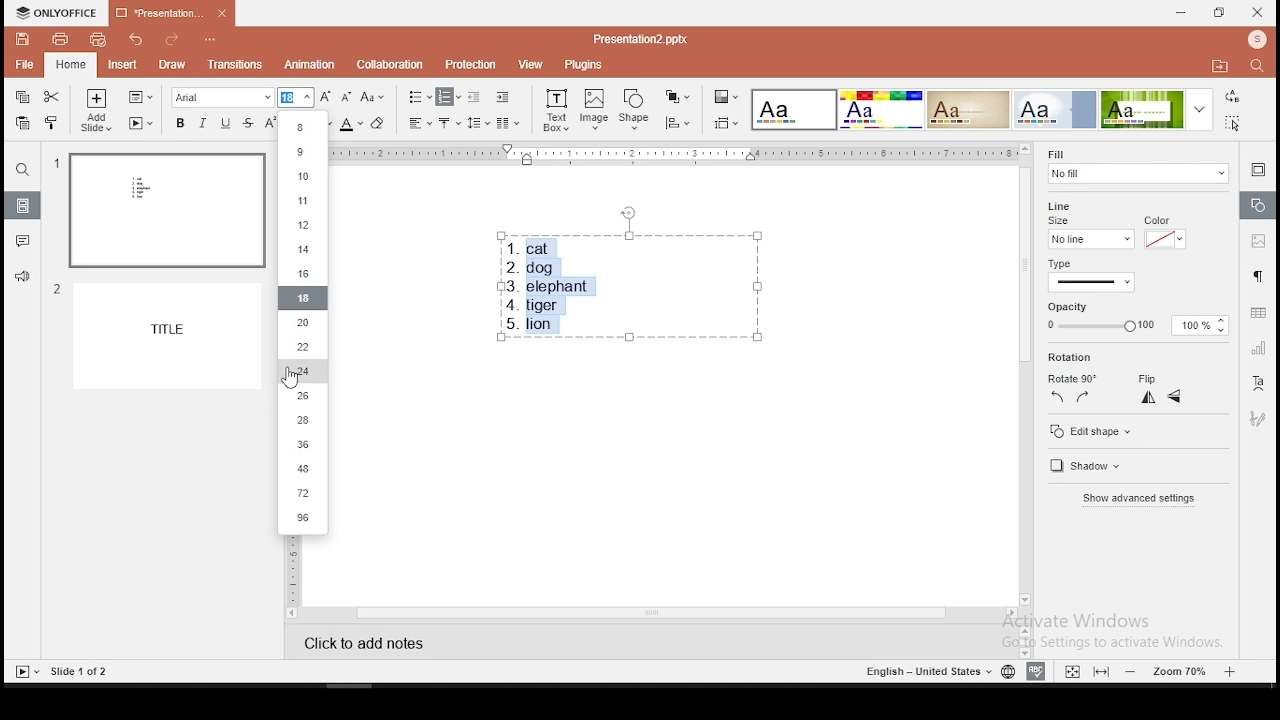 The image size is (1280, 720). I want to click on arrange objects, so click(678, 98).